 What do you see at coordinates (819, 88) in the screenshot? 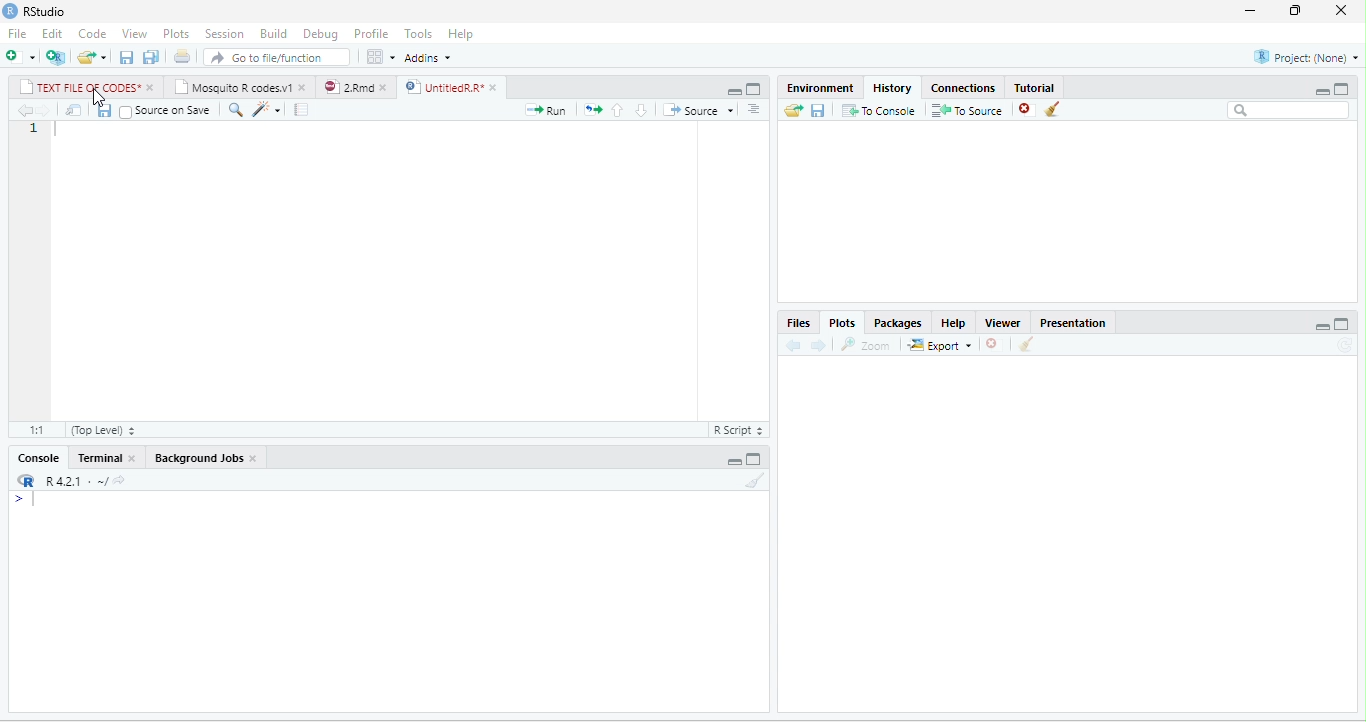
I see `Environment` at bounding box center [819, 88].